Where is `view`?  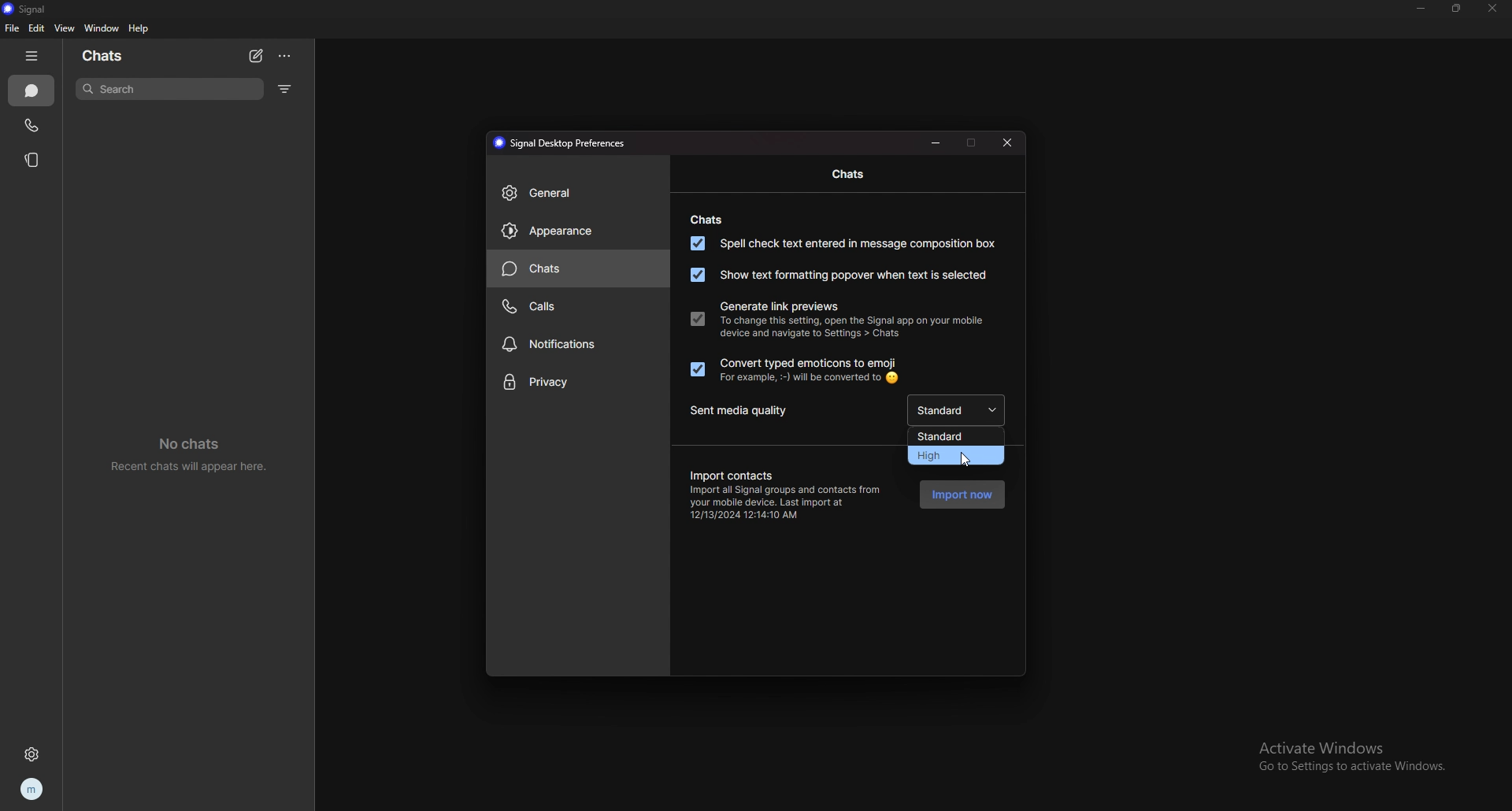 view is located at coordinates (65, 28).